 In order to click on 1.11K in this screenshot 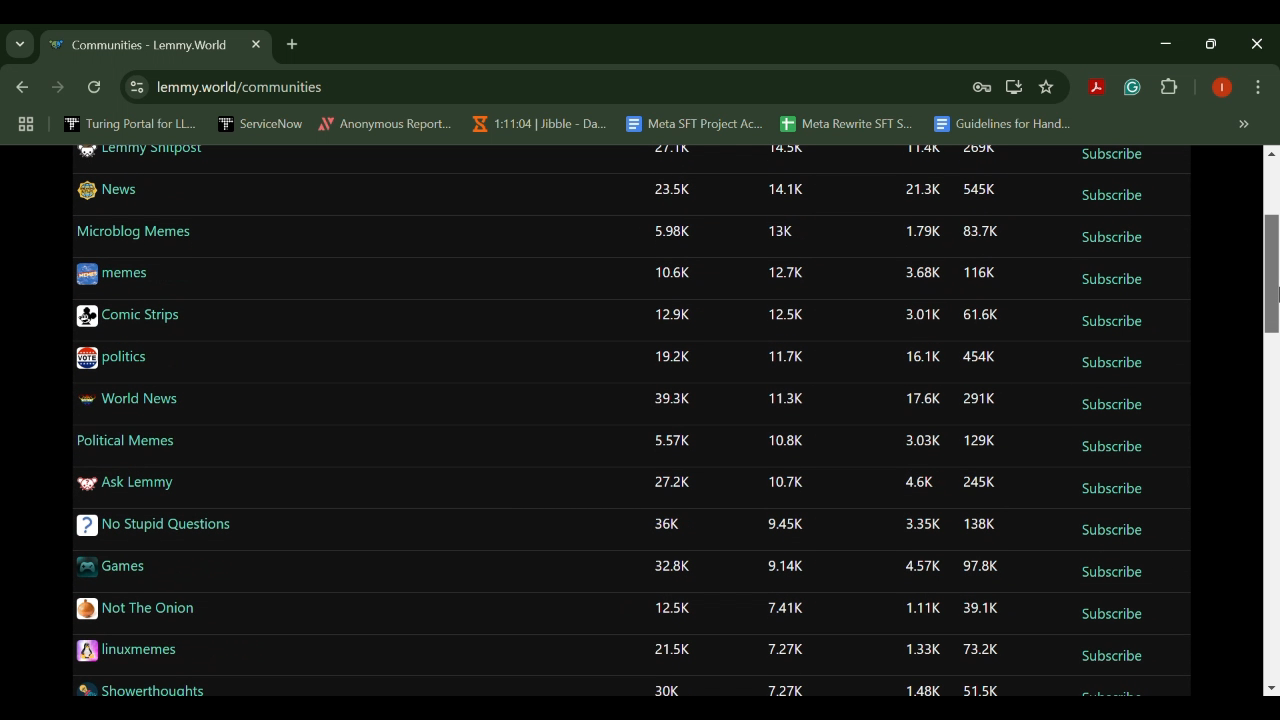, I will do `click(922, 609)`.